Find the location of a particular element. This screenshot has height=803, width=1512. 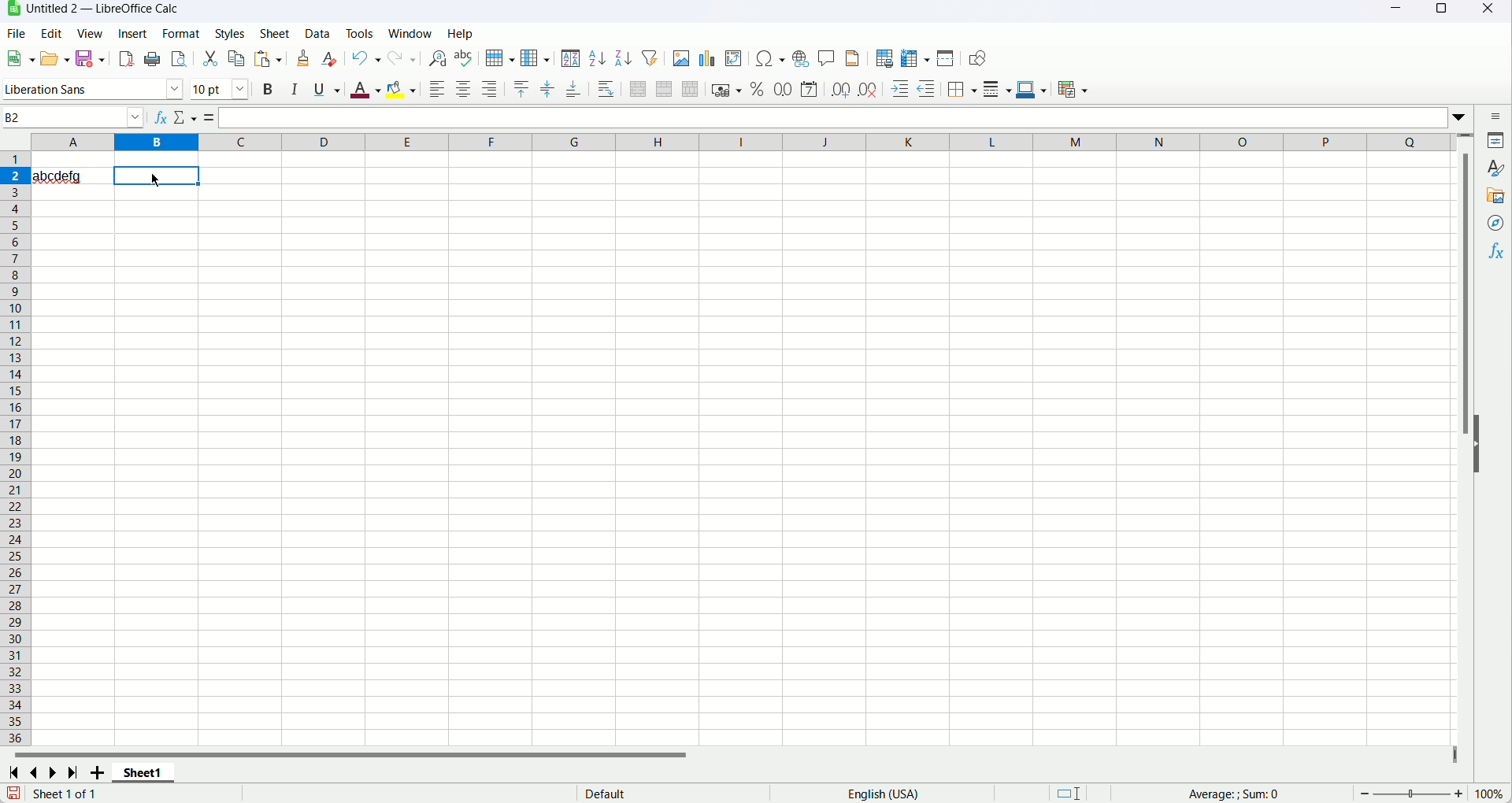

split window is located at coordinates (946, 57).